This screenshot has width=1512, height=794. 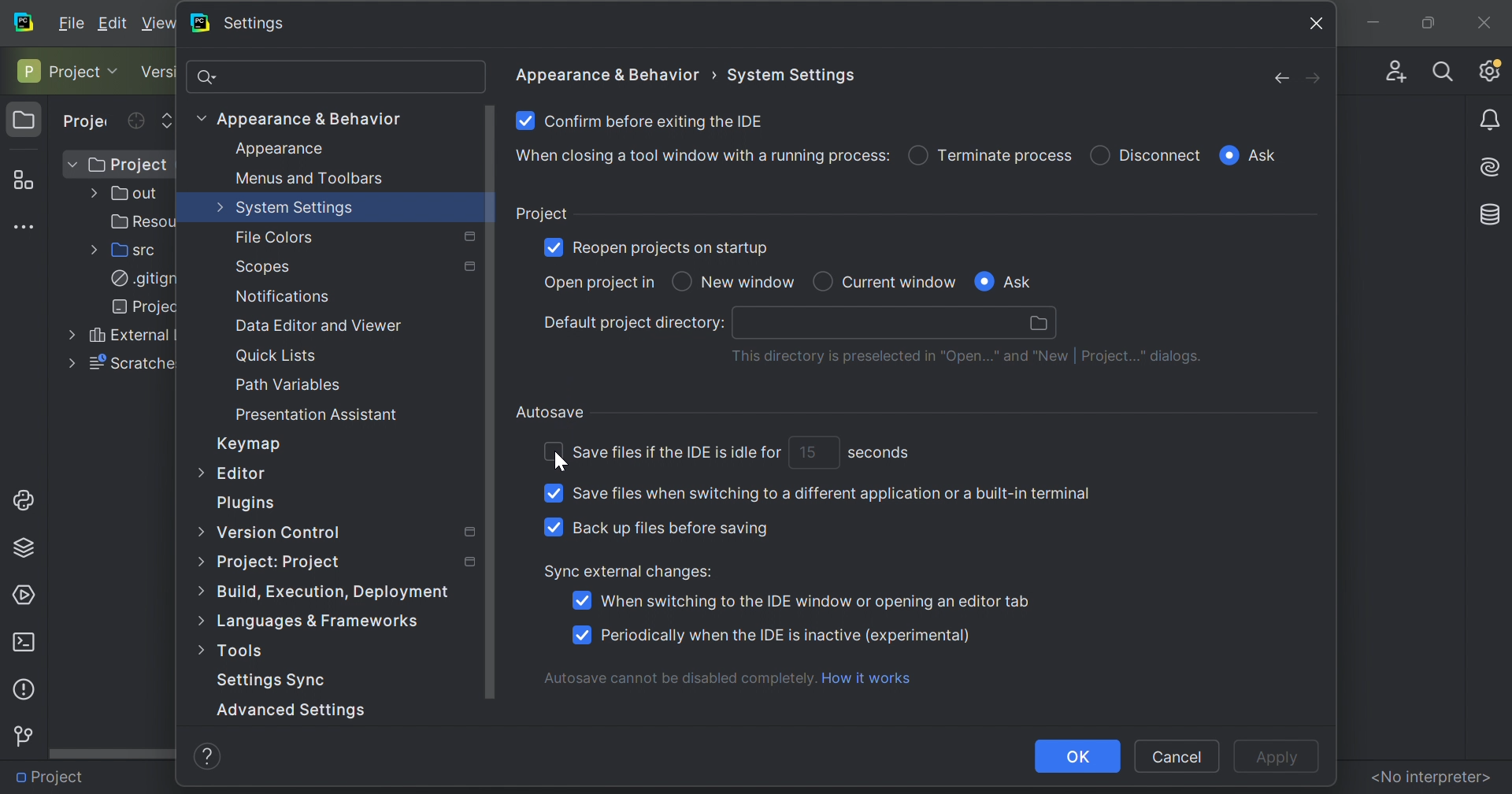 I want to click on Project, so click(x=57, y=70).